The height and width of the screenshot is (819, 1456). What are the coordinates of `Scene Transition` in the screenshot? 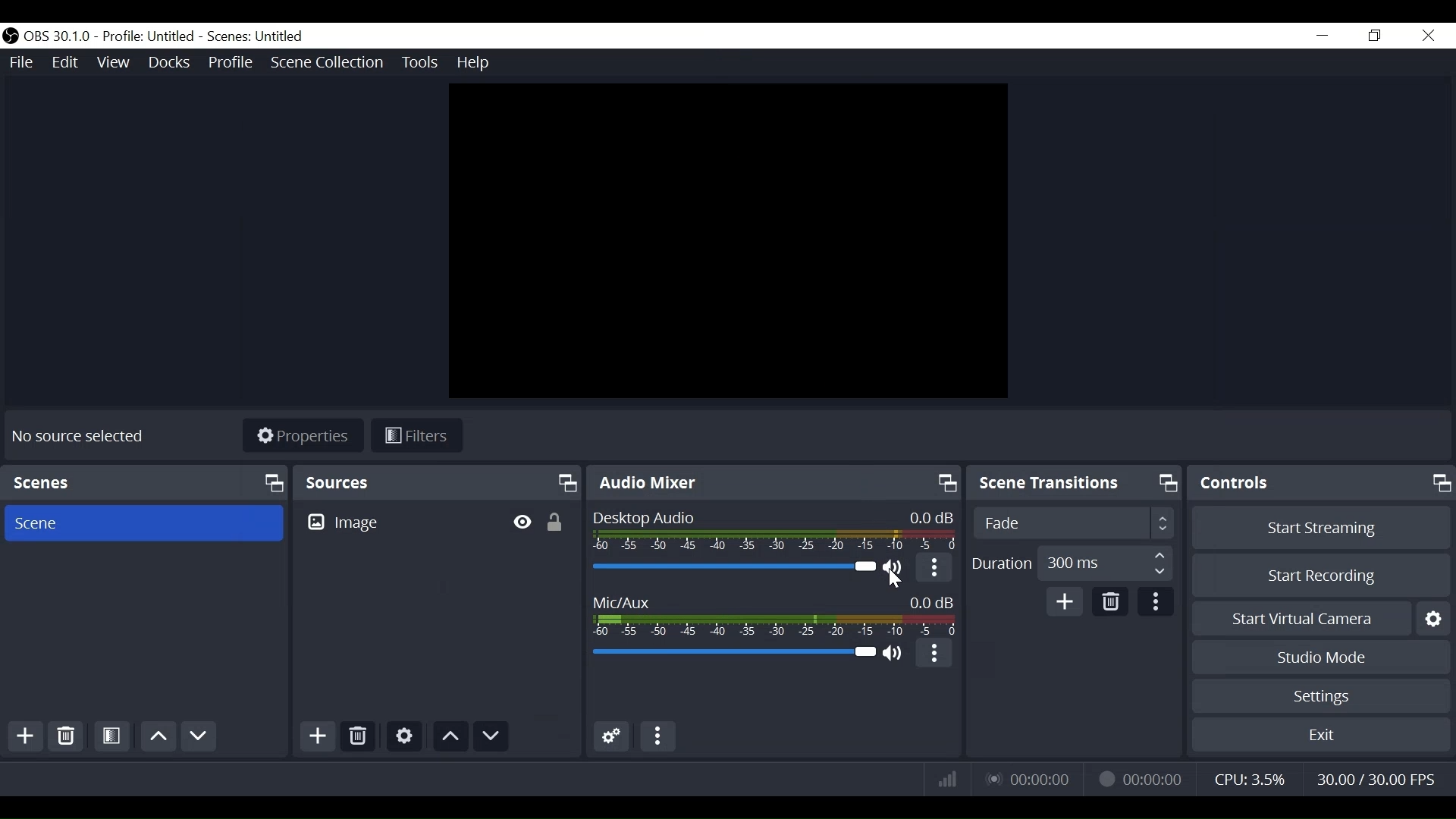 It's located at (1076, 484).